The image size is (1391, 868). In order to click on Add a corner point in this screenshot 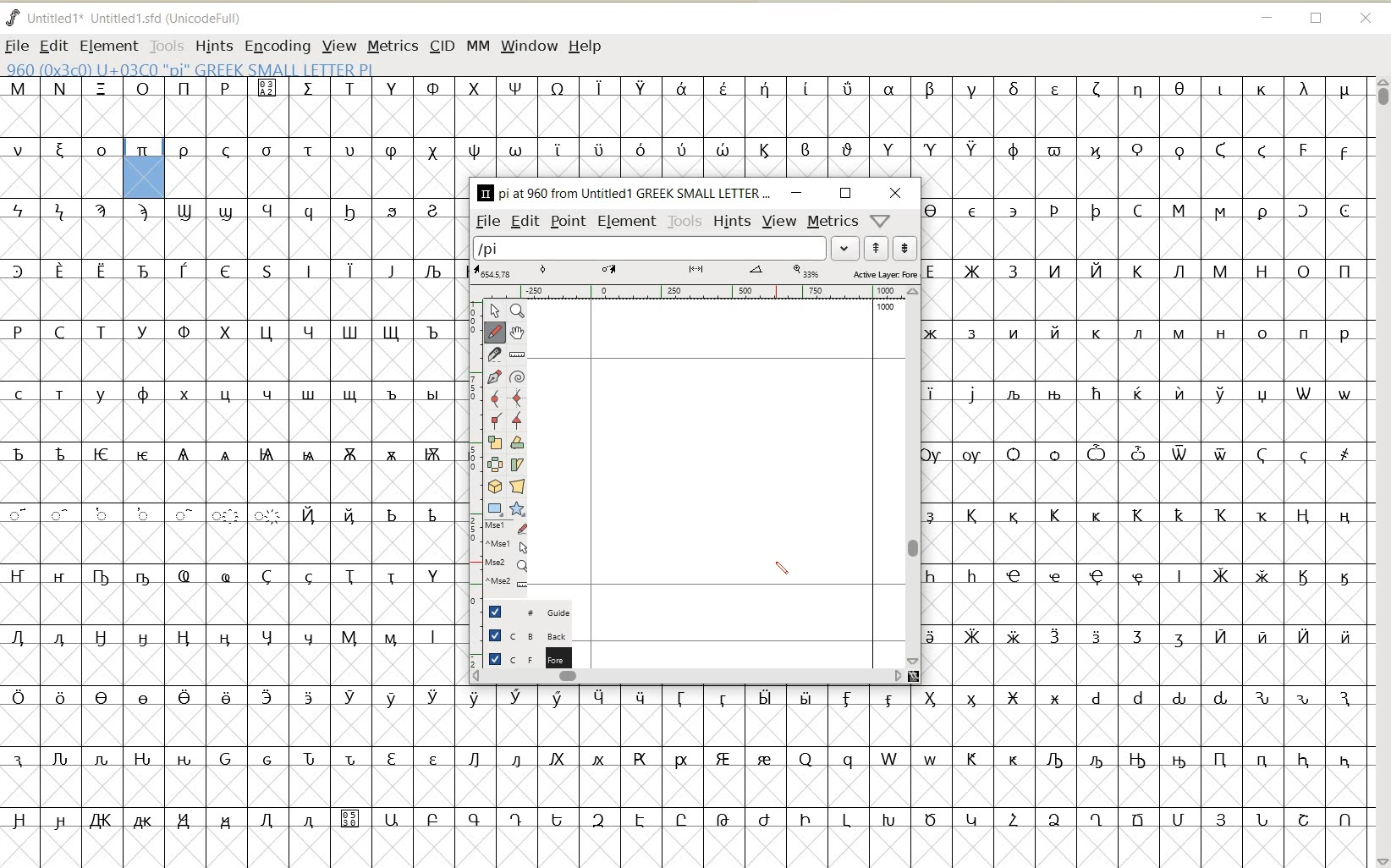, I will do `click(519, 421)`.